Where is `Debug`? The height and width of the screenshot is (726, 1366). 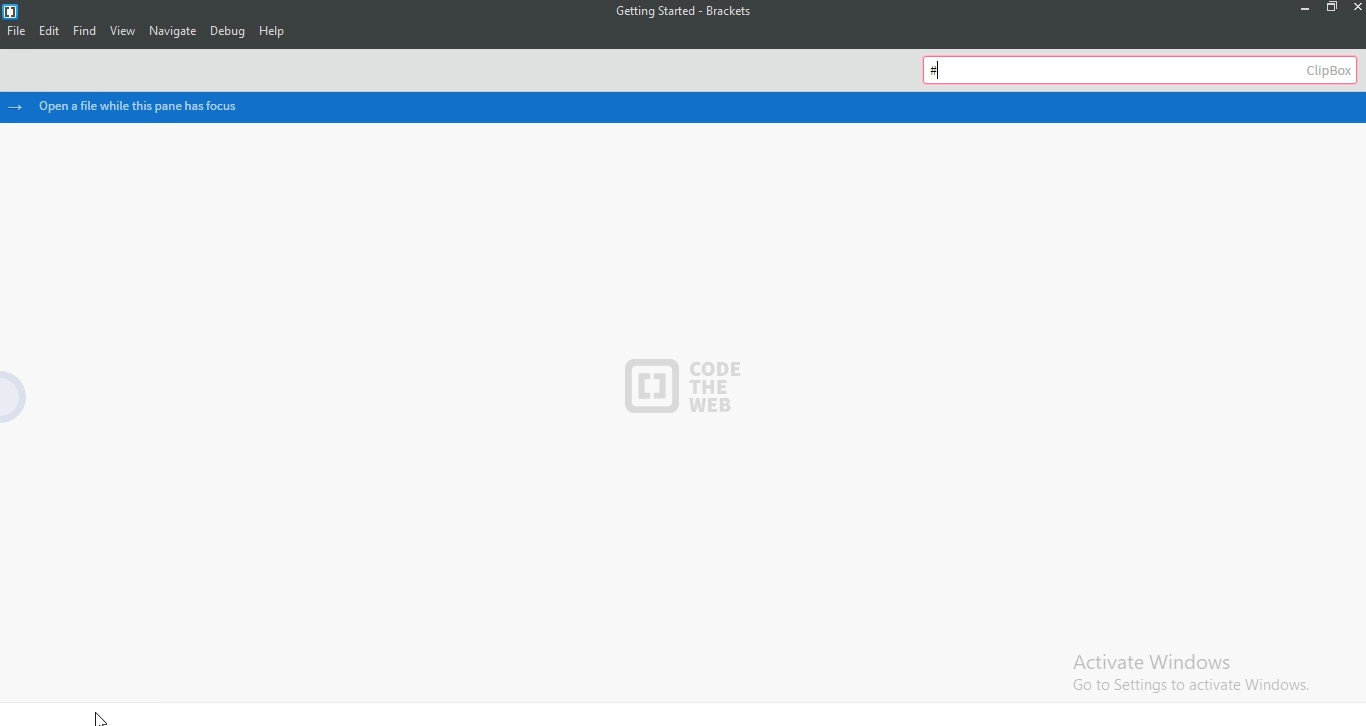 Debug is located at coordinates (228, 32).